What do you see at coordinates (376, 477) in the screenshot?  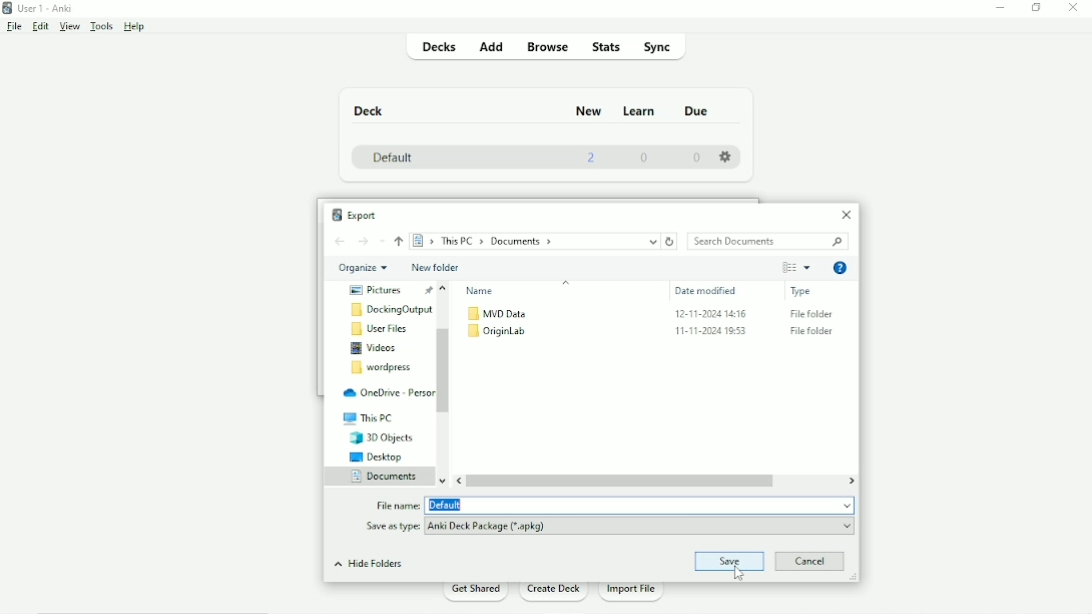 I see `Documents` at bounding box center [376, 477].